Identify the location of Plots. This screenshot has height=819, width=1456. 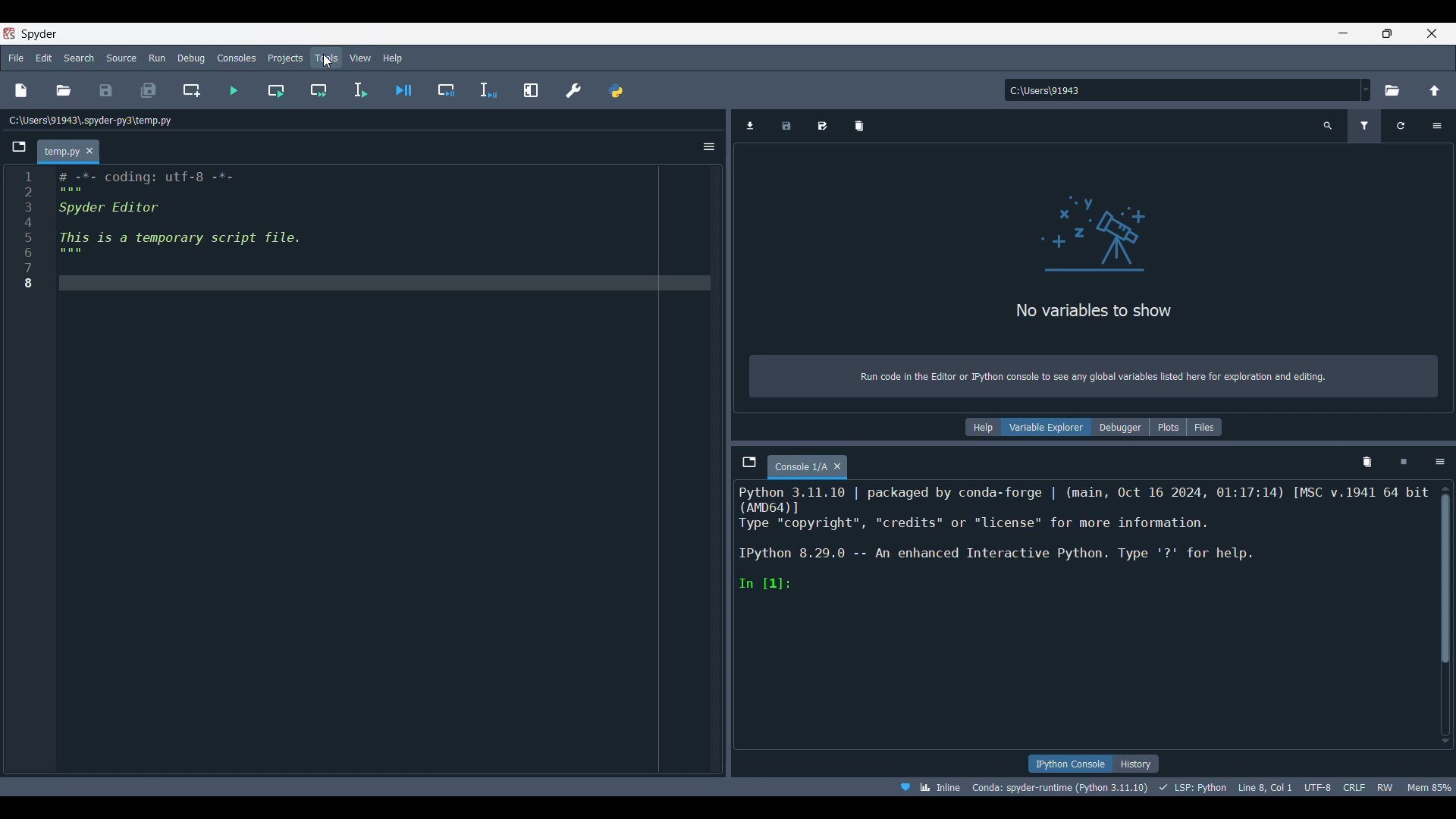
(1168, 427).